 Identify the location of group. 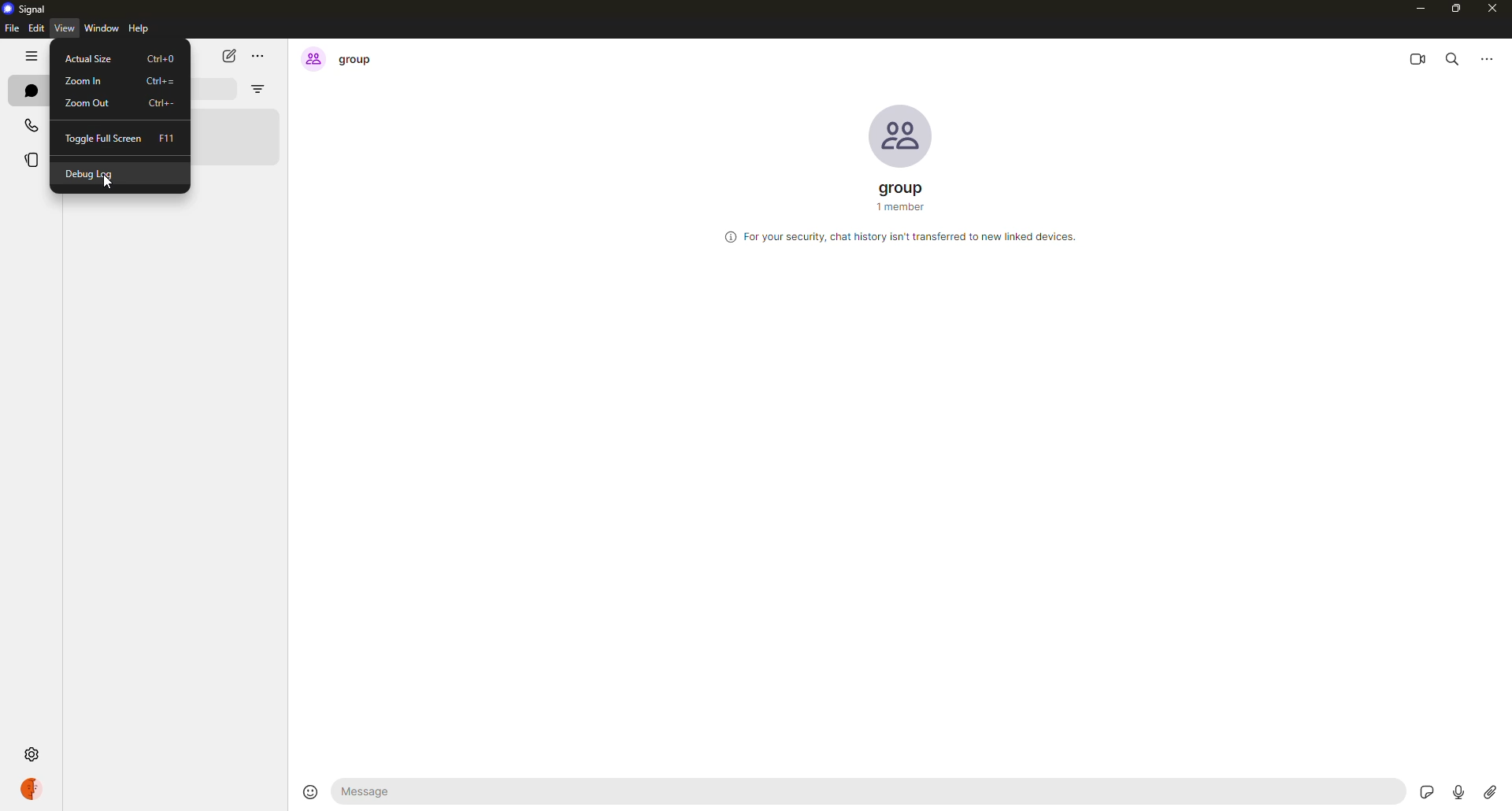
(339, 60).